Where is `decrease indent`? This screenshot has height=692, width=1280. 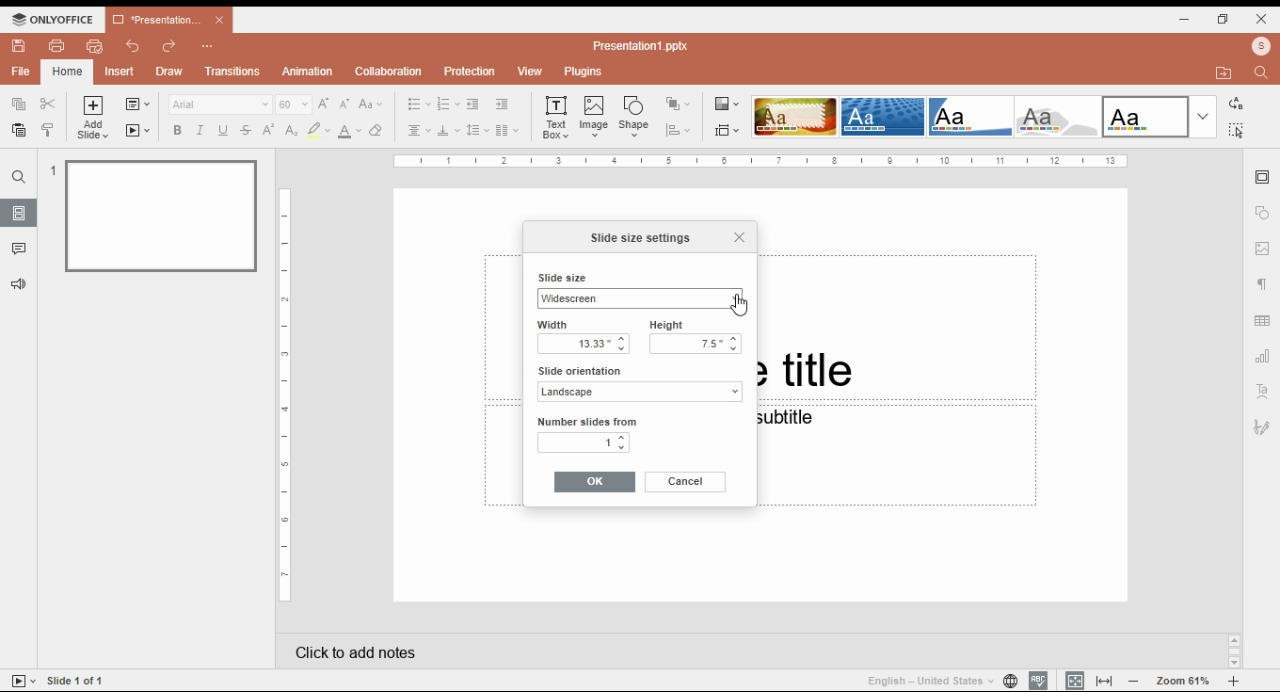 decrease indent is located at coordinates (472, 105).